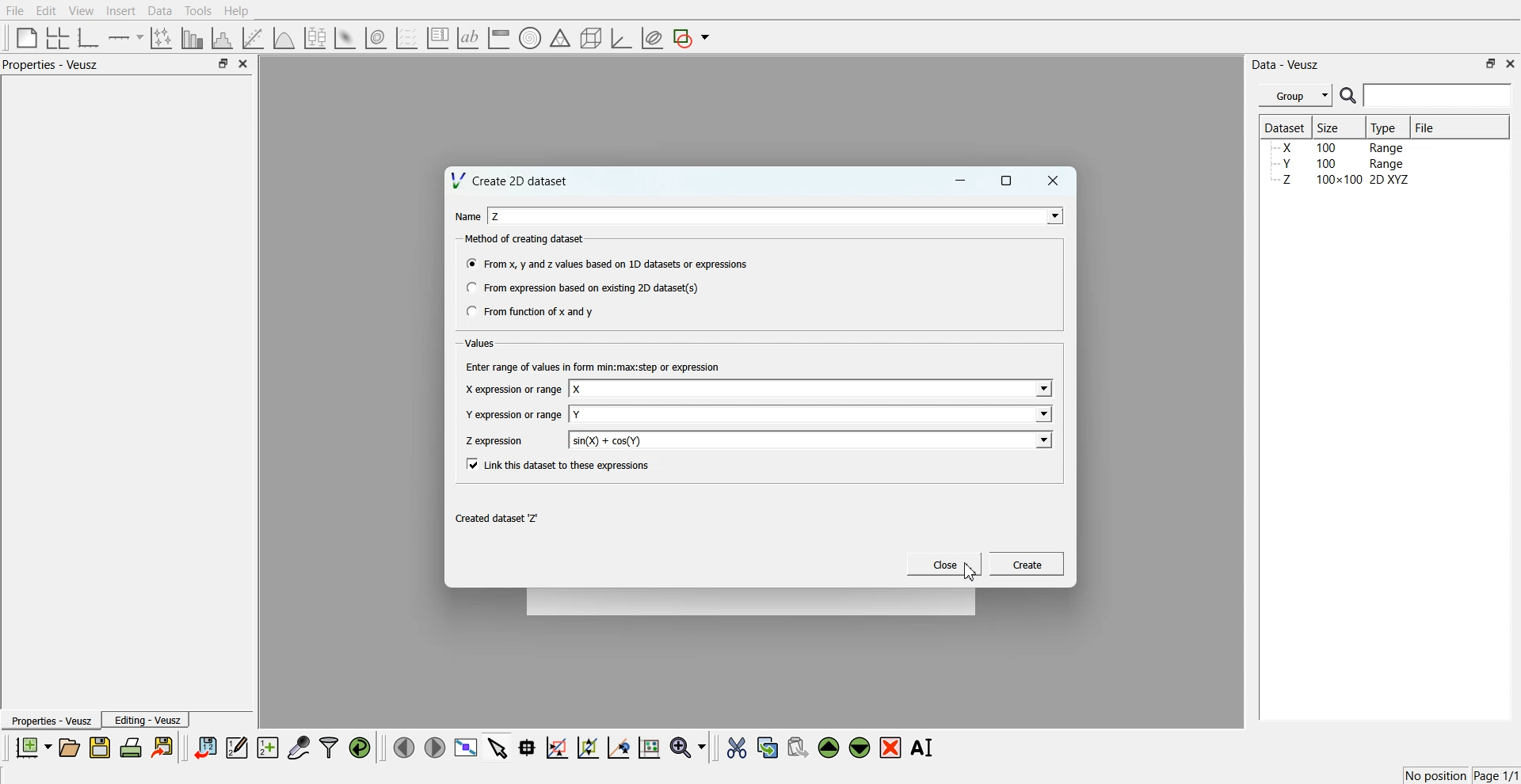 The image size is (1521, 784). Describe the element at coordinates (284, 38) in the screenshot. I see `3D Function` at that location.